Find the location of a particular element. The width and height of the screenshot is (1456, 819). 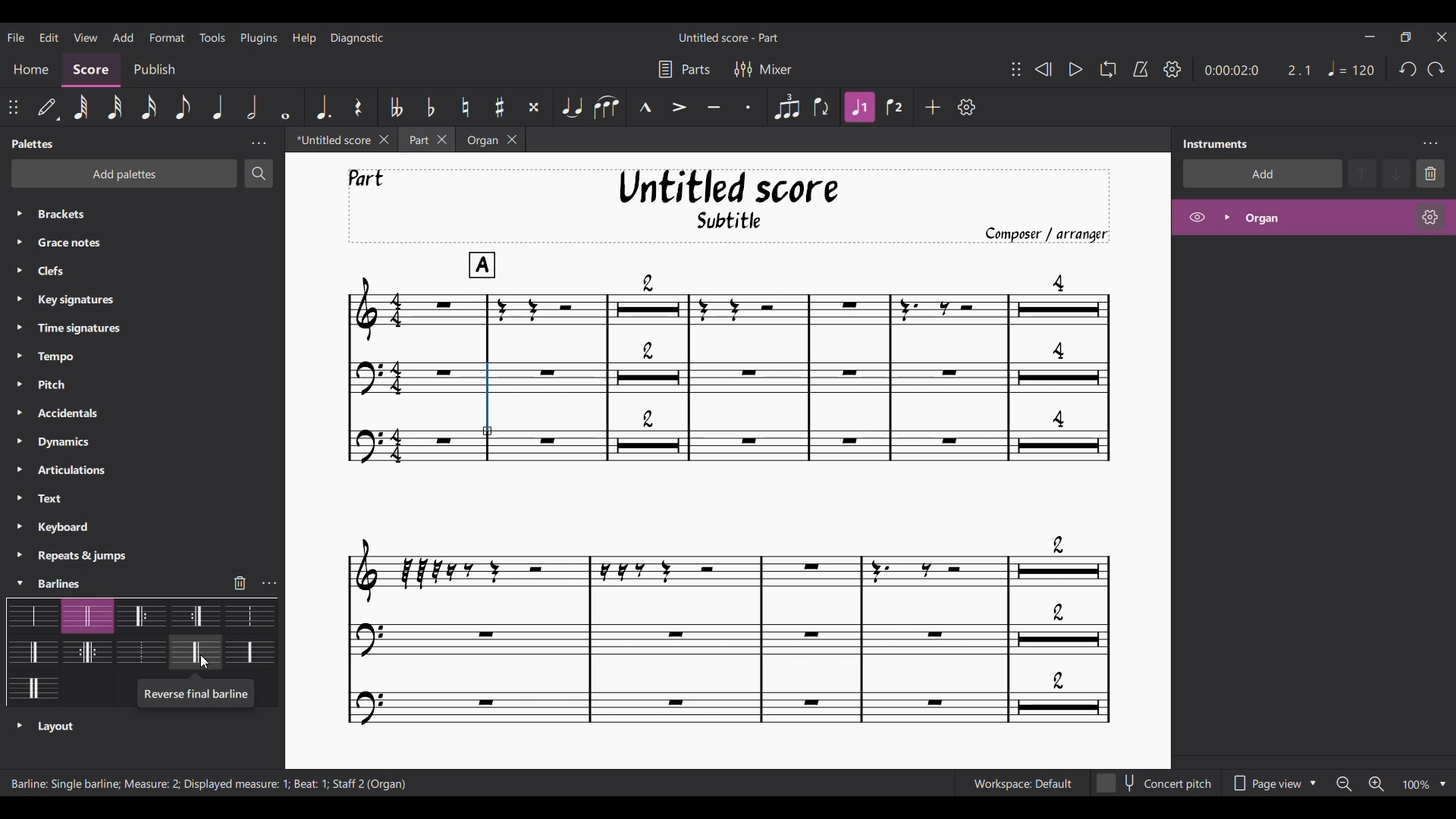

Name of current score is located at coordinates (729, 37).